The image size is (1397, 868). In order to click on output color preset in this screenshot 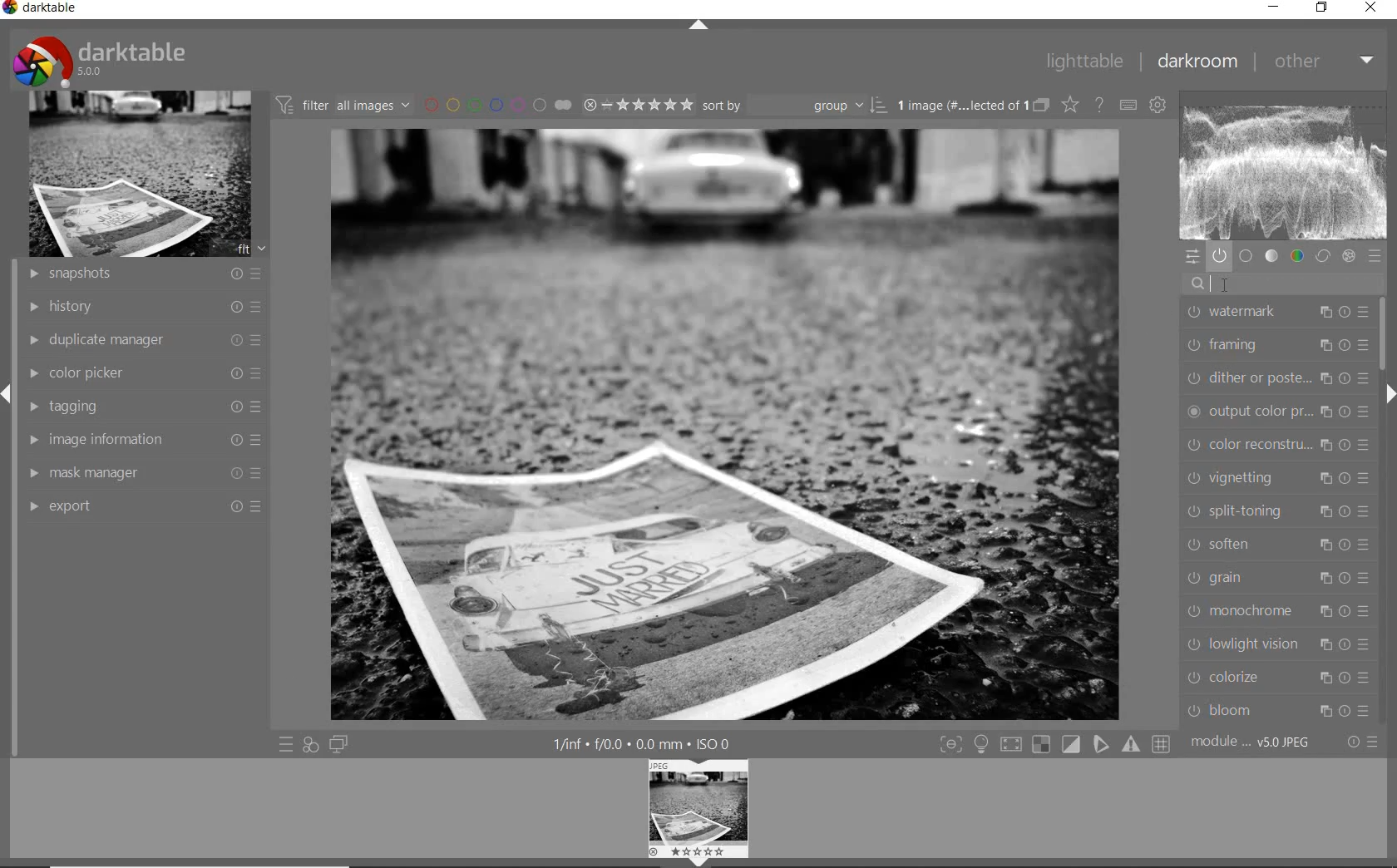, I will do `click(1276, 412)`.